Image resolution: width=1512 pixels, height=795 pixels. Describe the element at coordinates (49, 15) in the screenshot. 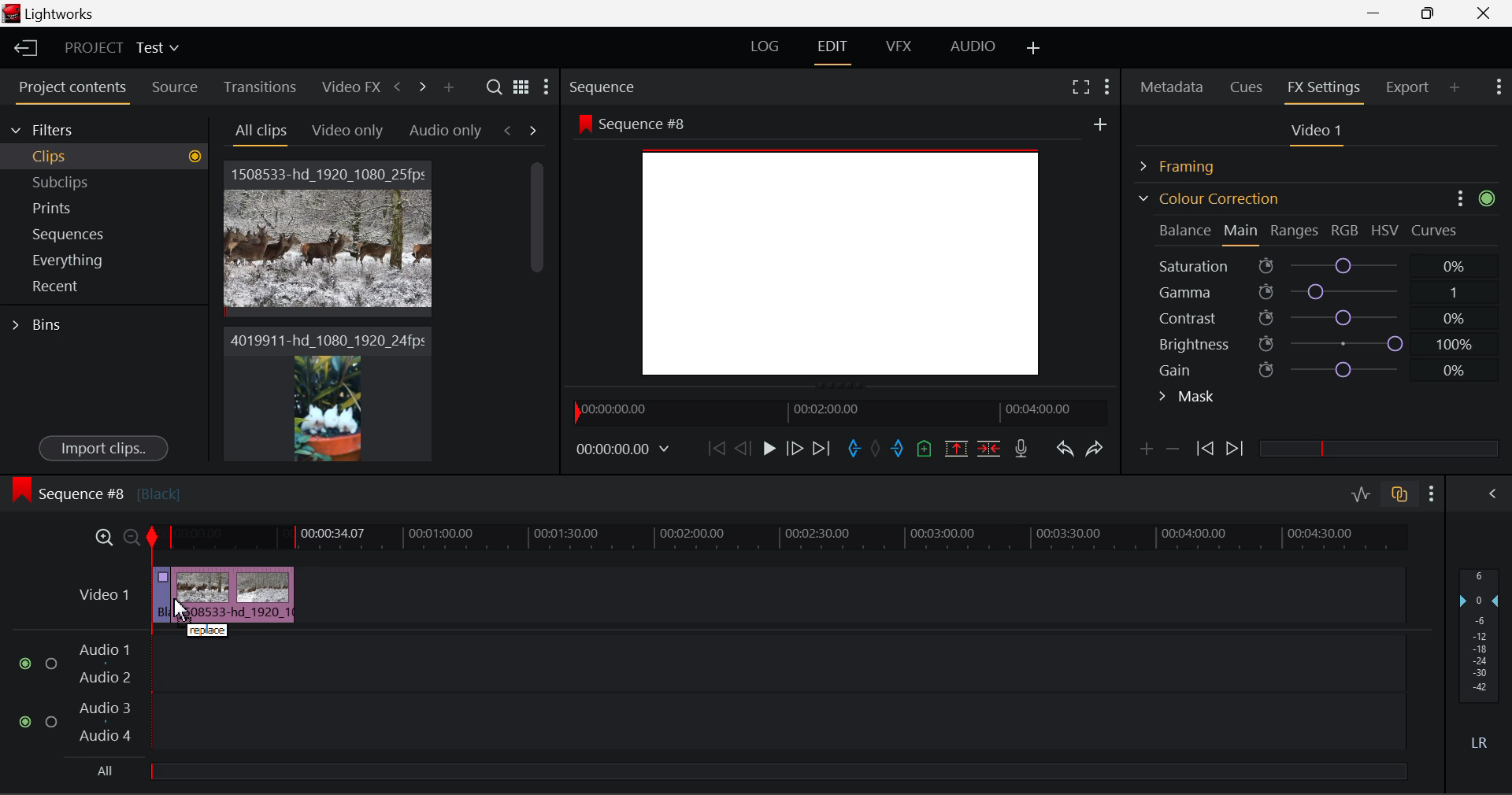

I see `Window Title` at that location.